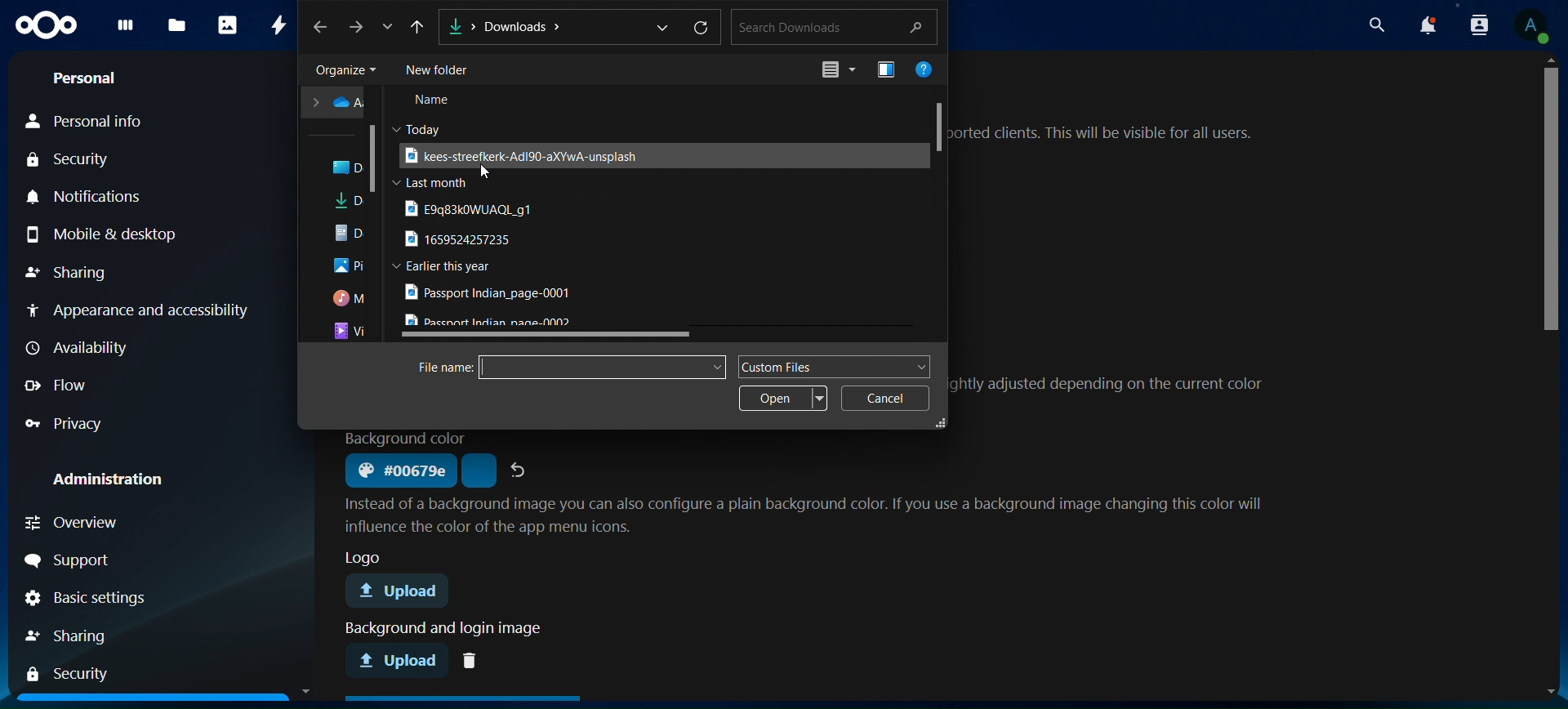 Image resolution: width=1568 pixels, height=709 pixels. What do you see at coordinates (109, 561) in the screenshot?
I see `support` at bounding box center [109, 561].